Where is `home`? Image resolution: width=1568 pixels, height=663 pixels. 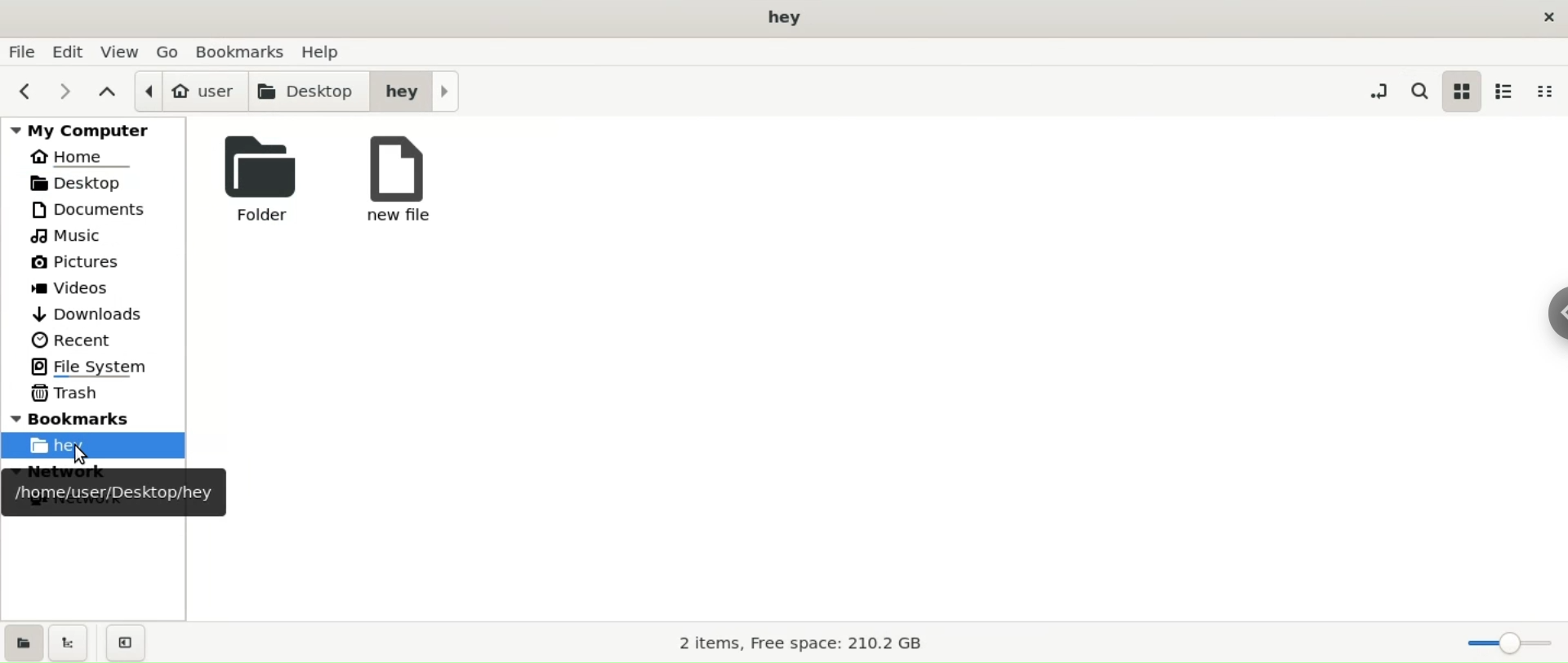
home is located at coordinates (82, 158).